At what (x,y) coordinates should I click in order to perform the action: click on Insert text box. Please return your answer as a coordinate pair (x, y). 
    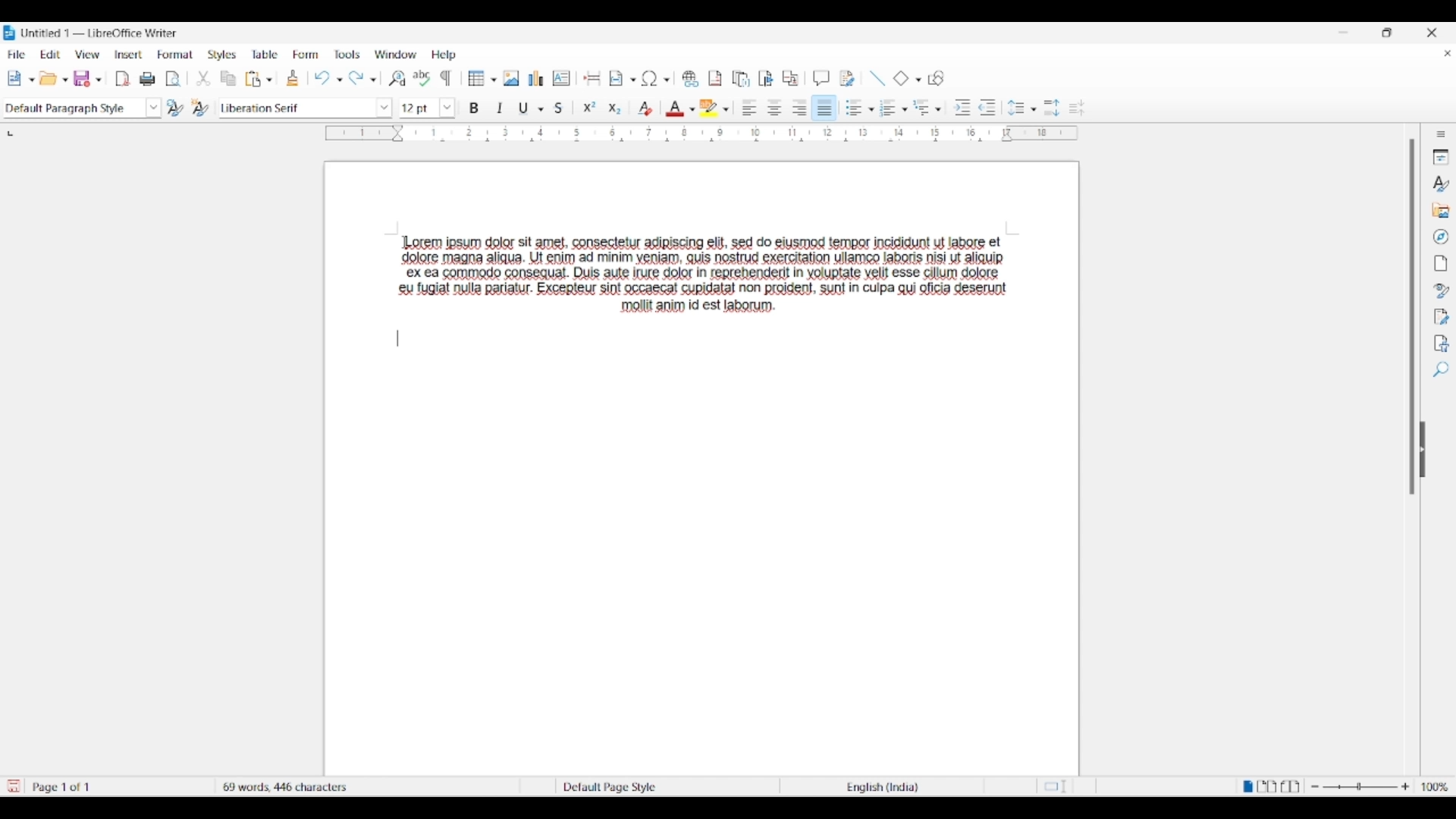
    Looking at the image, I should click on (562, 78).